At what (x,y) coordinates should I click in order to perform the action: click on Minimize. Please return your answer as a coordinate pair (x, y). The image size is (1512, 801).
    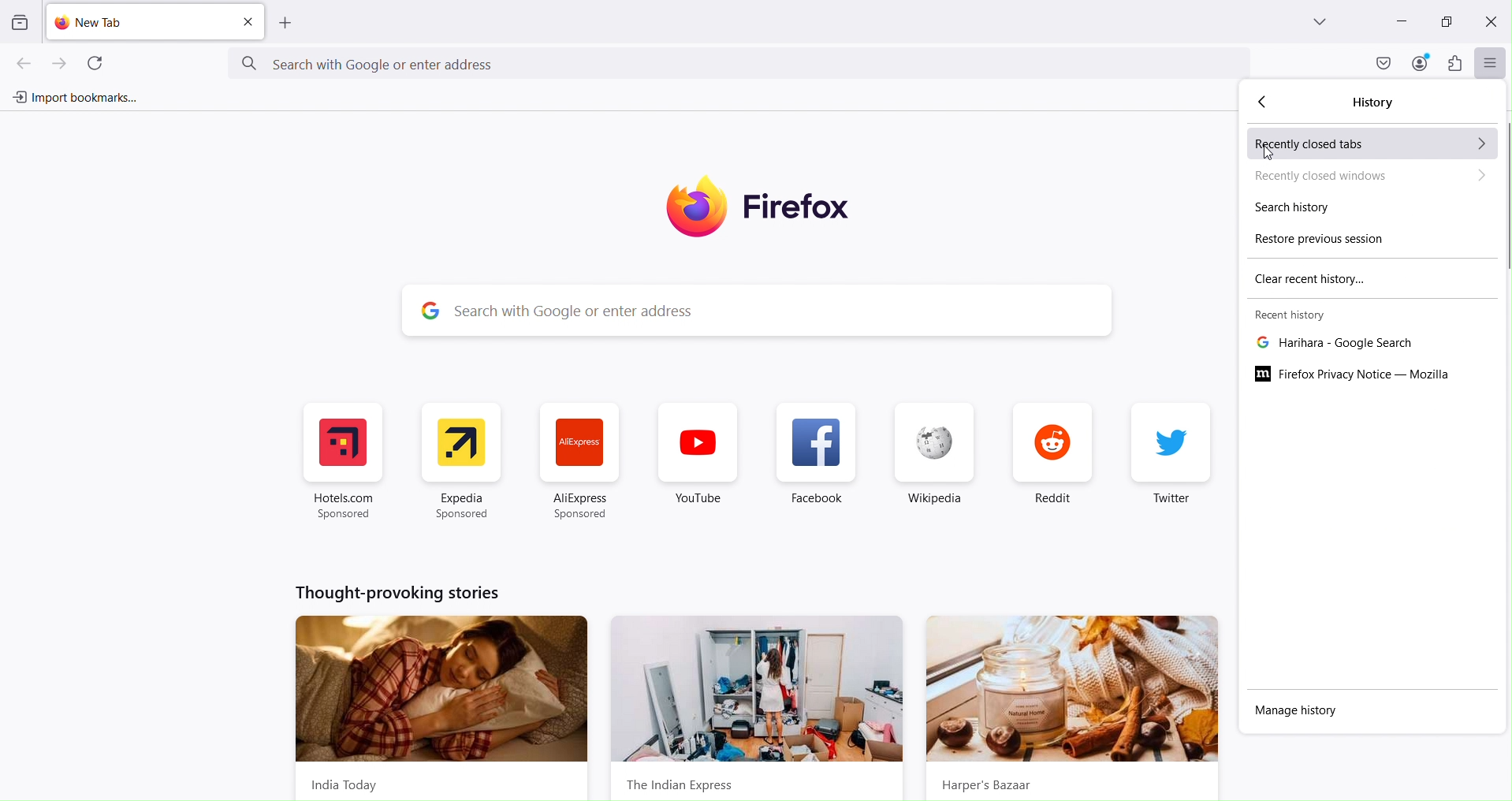
    Looking at the image, I should click on (1400, 22).